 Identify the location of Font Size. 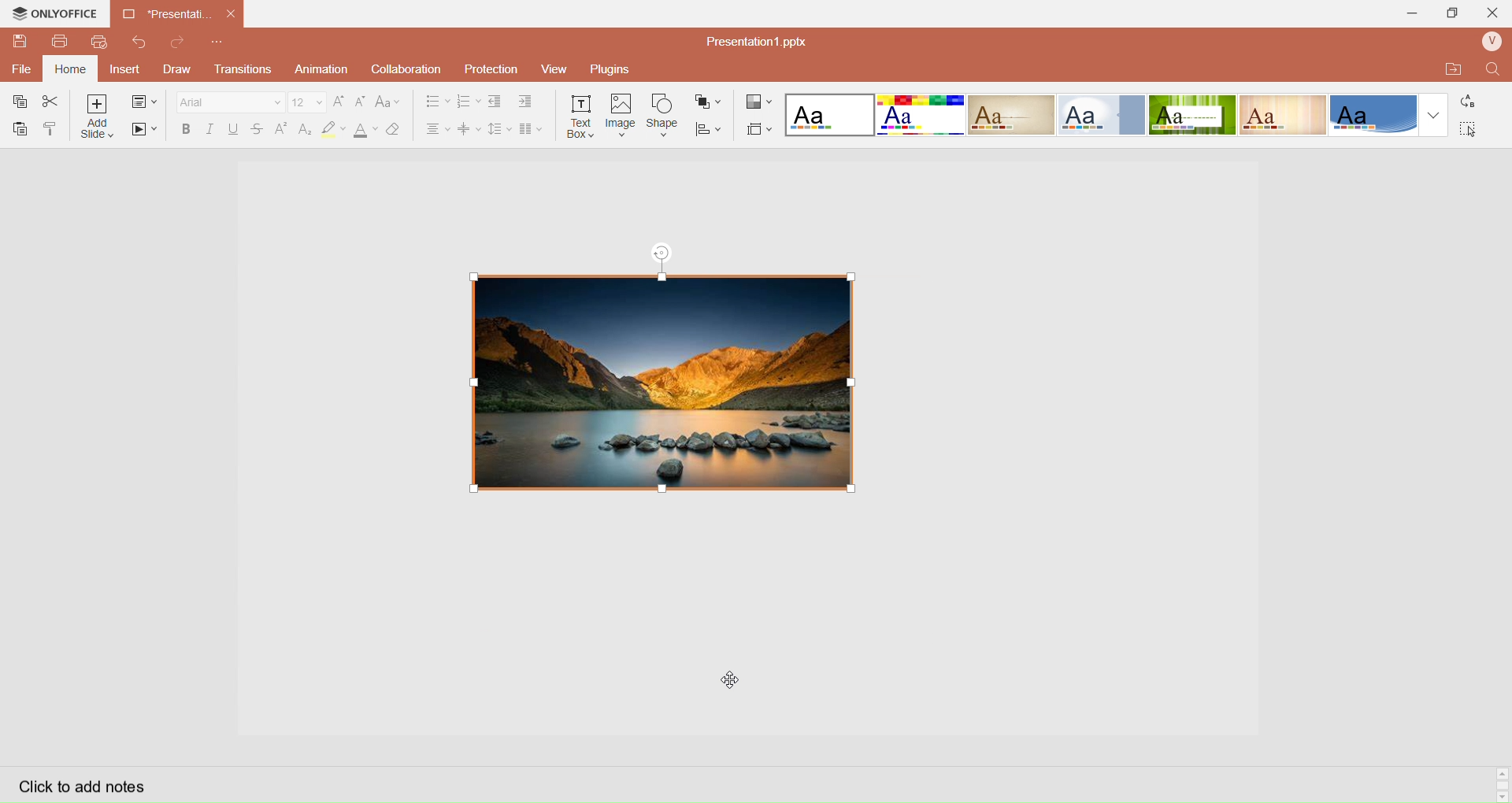
(307, 103).